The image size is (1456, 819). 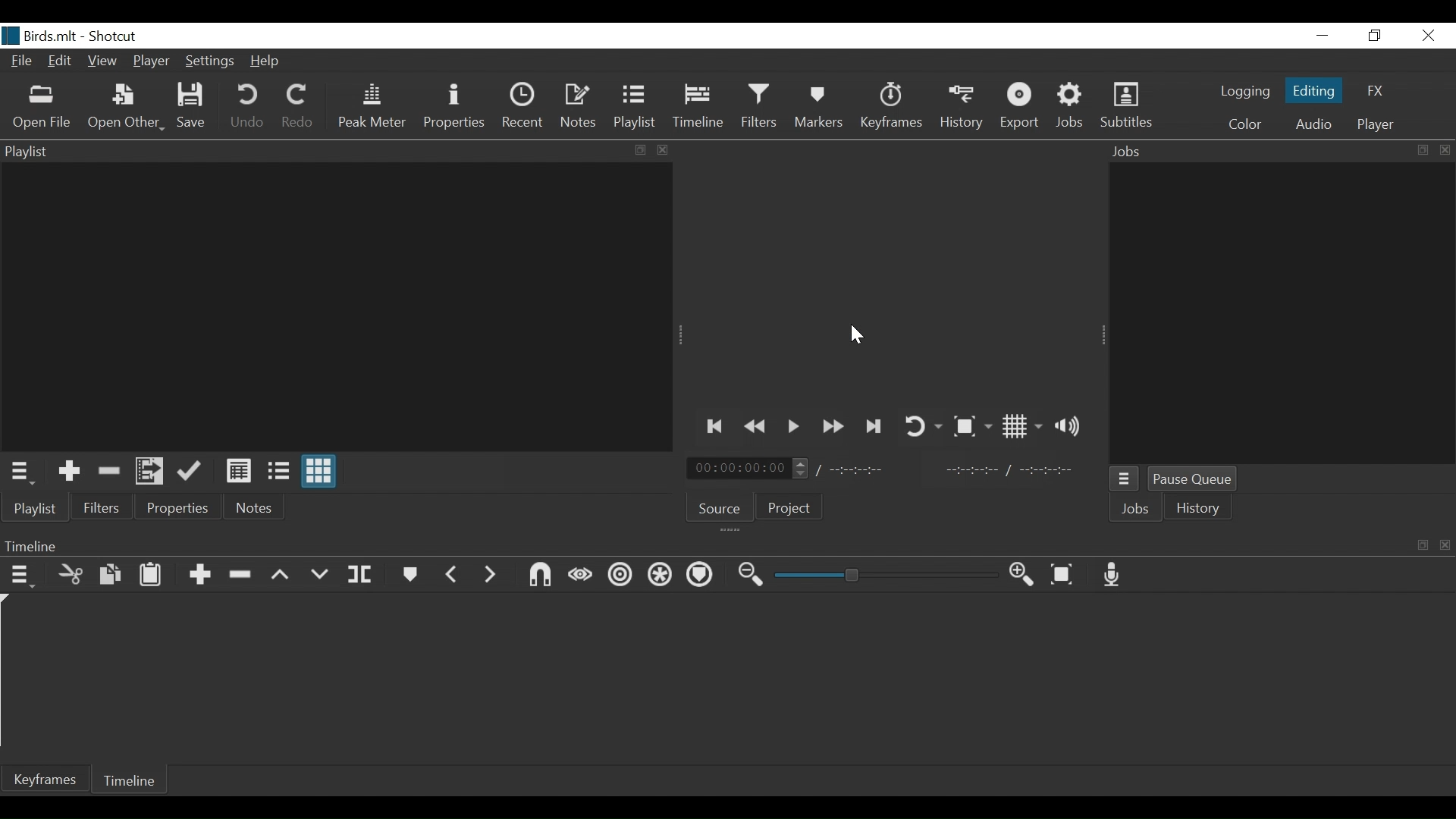 I want to click on Open File, so click(x=42, y=107).